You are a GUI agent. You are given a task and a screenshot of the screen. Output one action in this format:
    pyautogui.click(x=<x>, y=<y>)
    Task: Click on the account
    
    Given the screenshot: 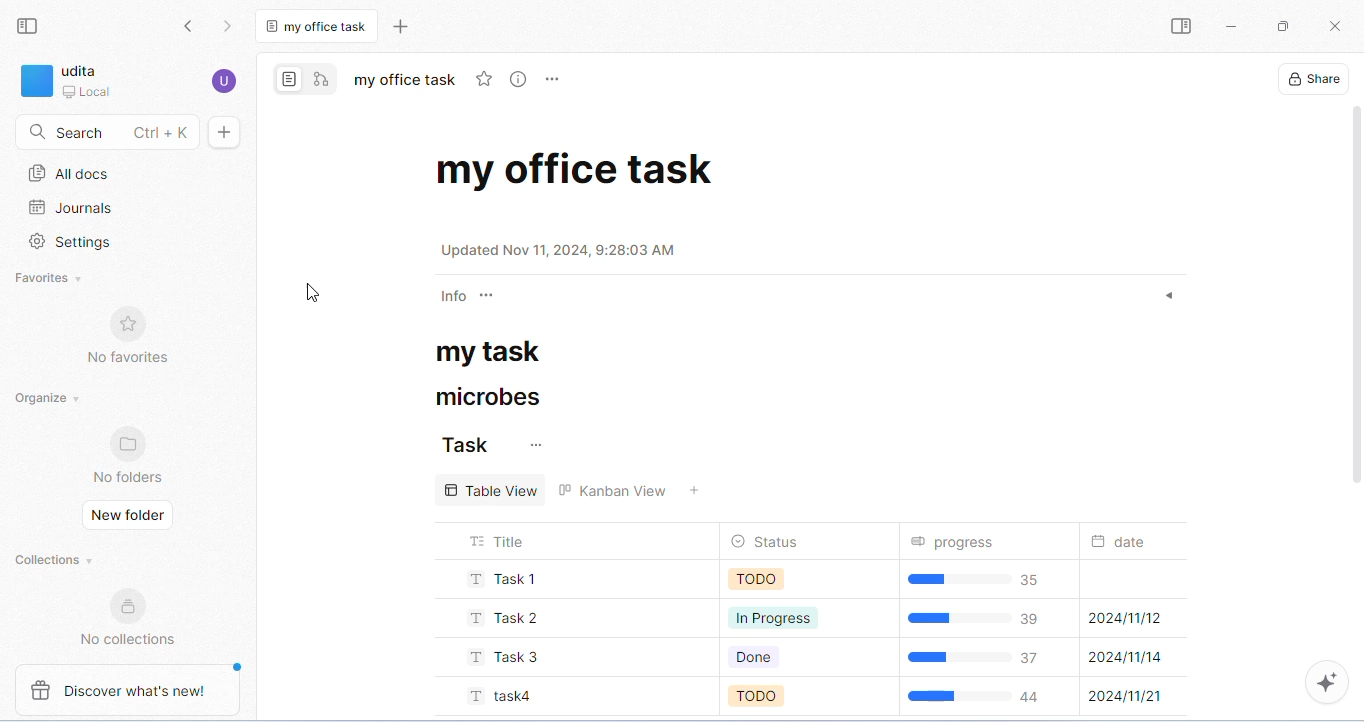 What is the action you would take?
    pyautogui.click(x=223, y=79)
    